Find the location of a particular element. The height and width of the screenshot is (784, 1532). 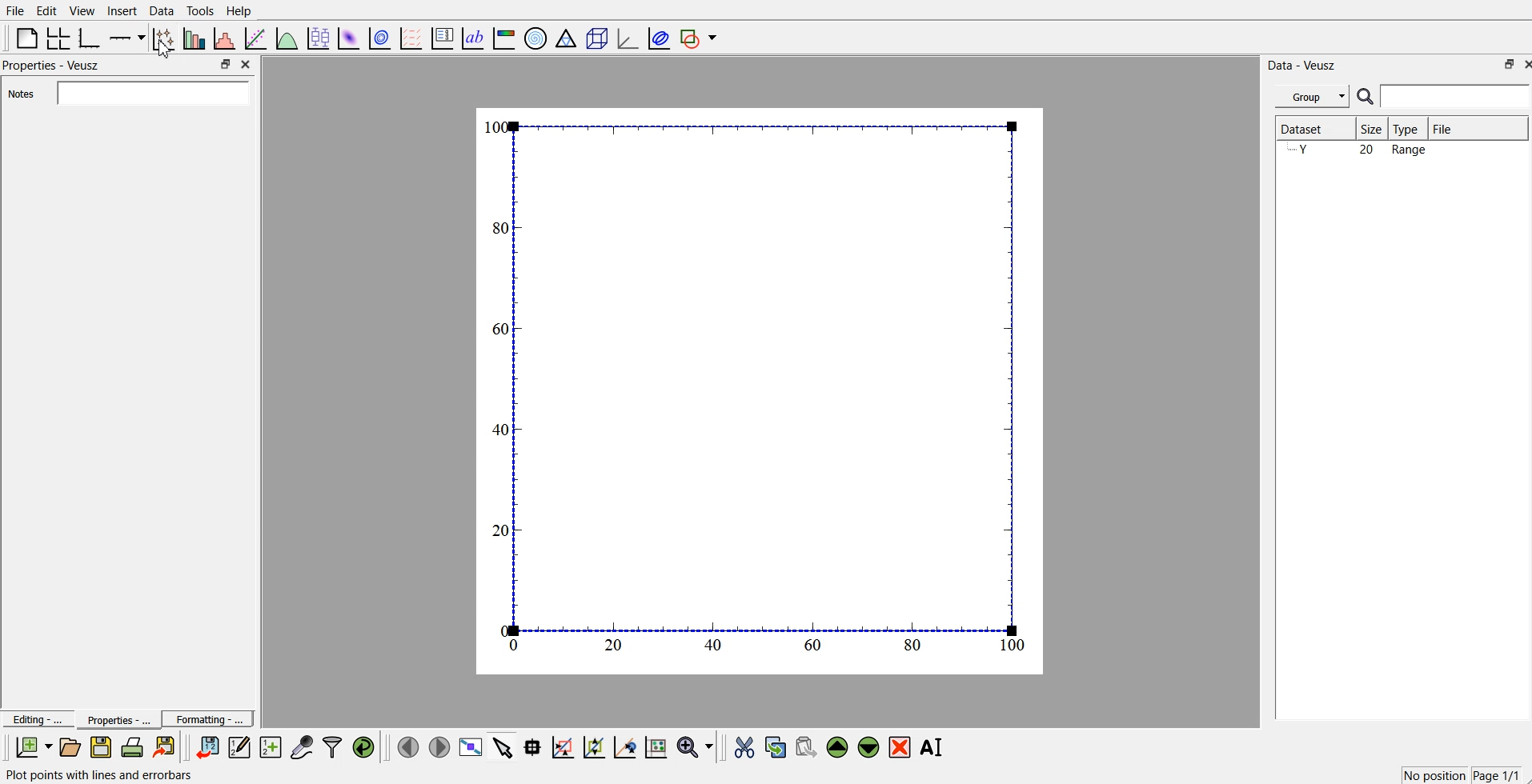

Edit and enter new dataset is located at coordinates (237, 747).